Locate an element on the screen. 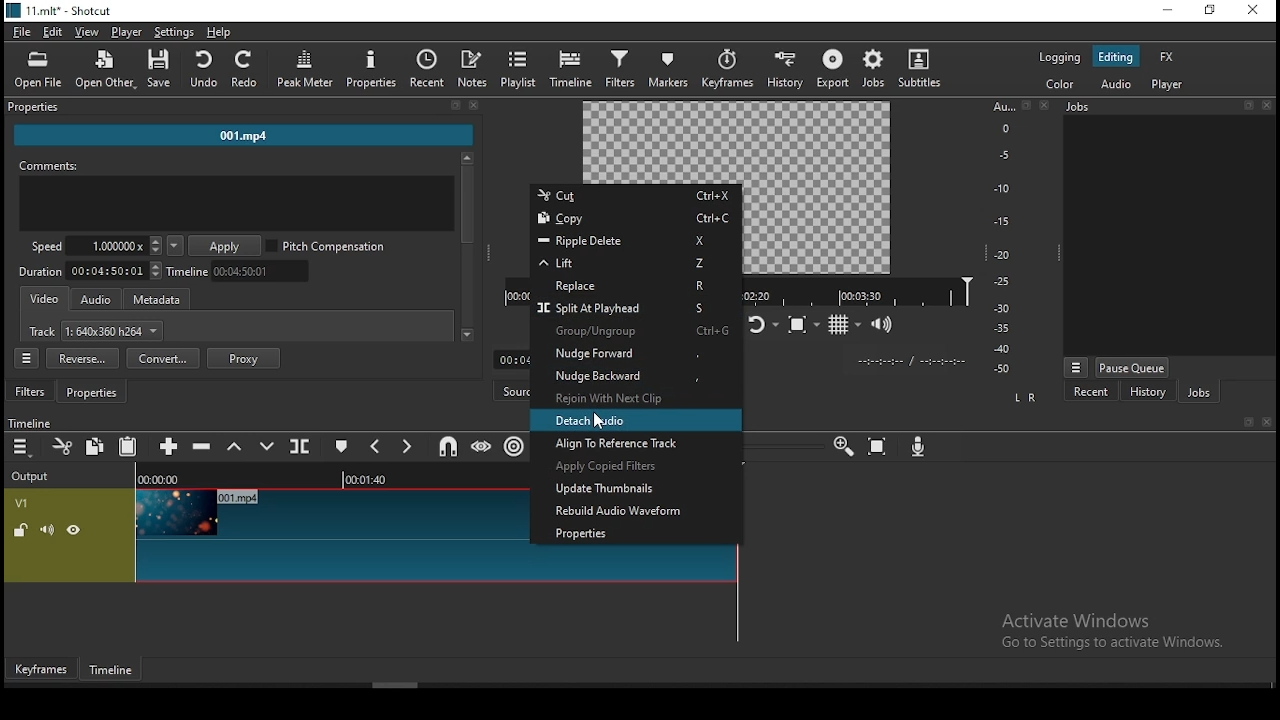 The image size is (1280, 720). time input is located at coordinates (507, 359).